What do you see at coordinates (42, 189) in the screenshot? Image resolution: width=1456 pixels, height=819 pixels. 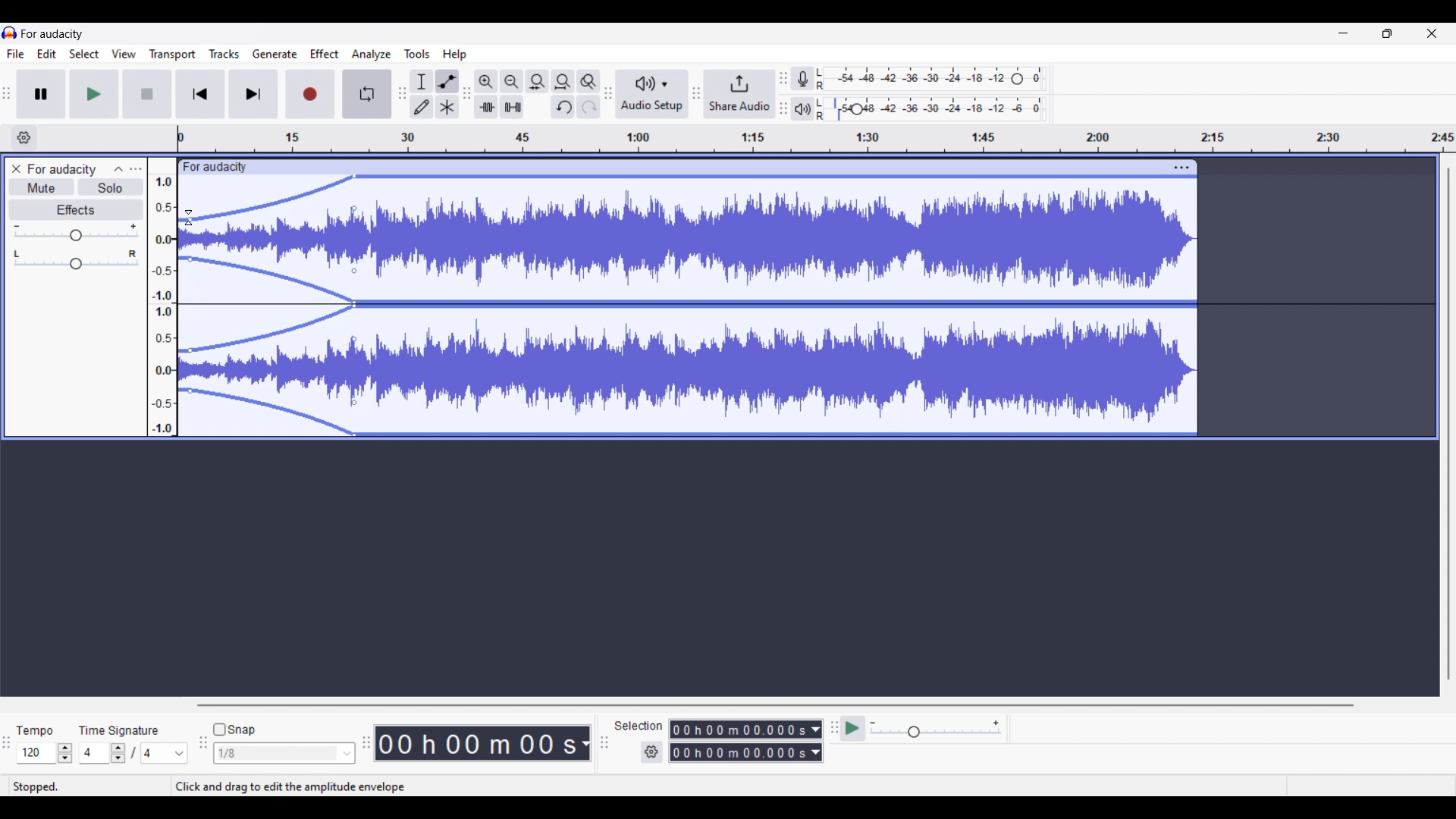 I see `Mute` at bounding box center [42, 189].